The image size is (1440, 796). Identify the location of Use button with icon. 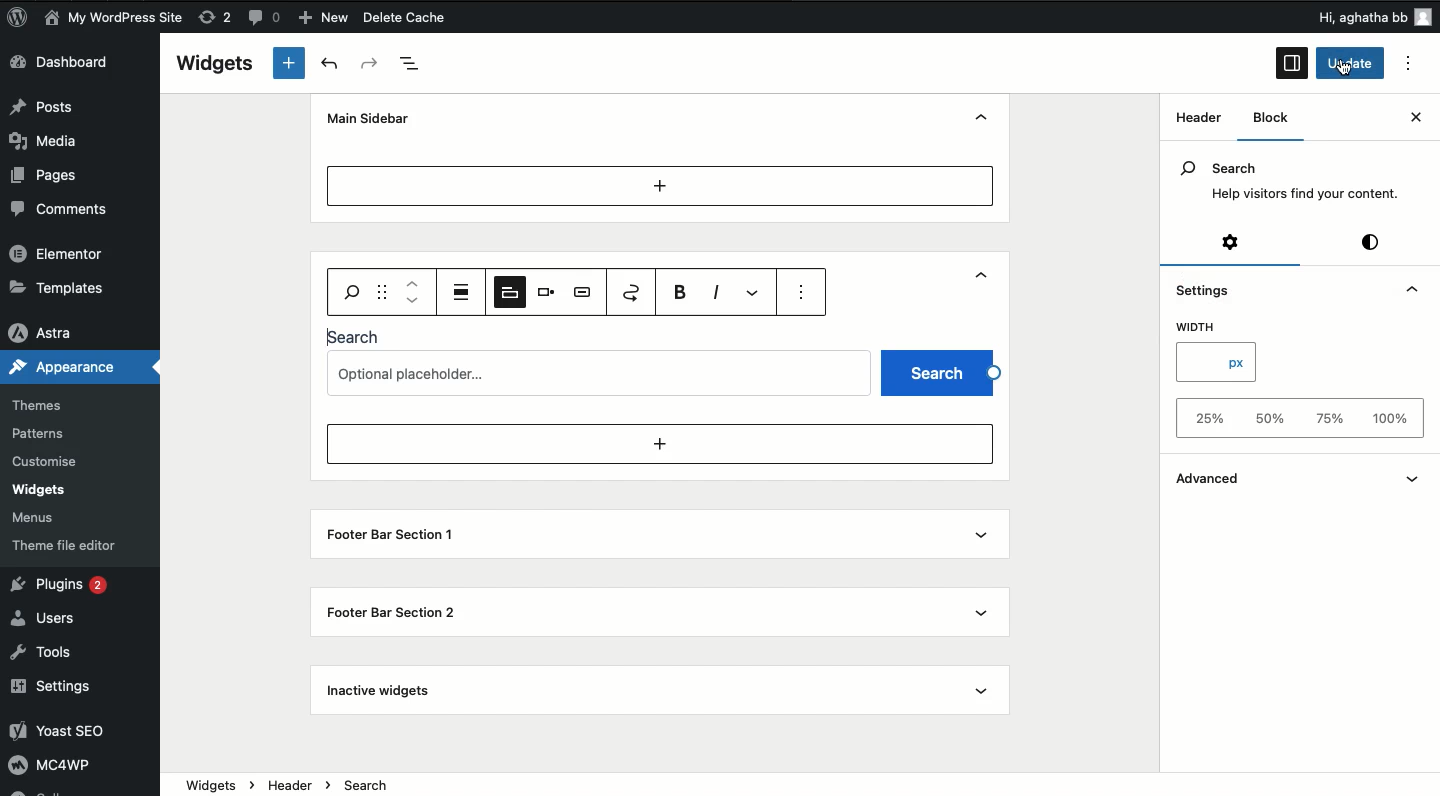
(584, 292).